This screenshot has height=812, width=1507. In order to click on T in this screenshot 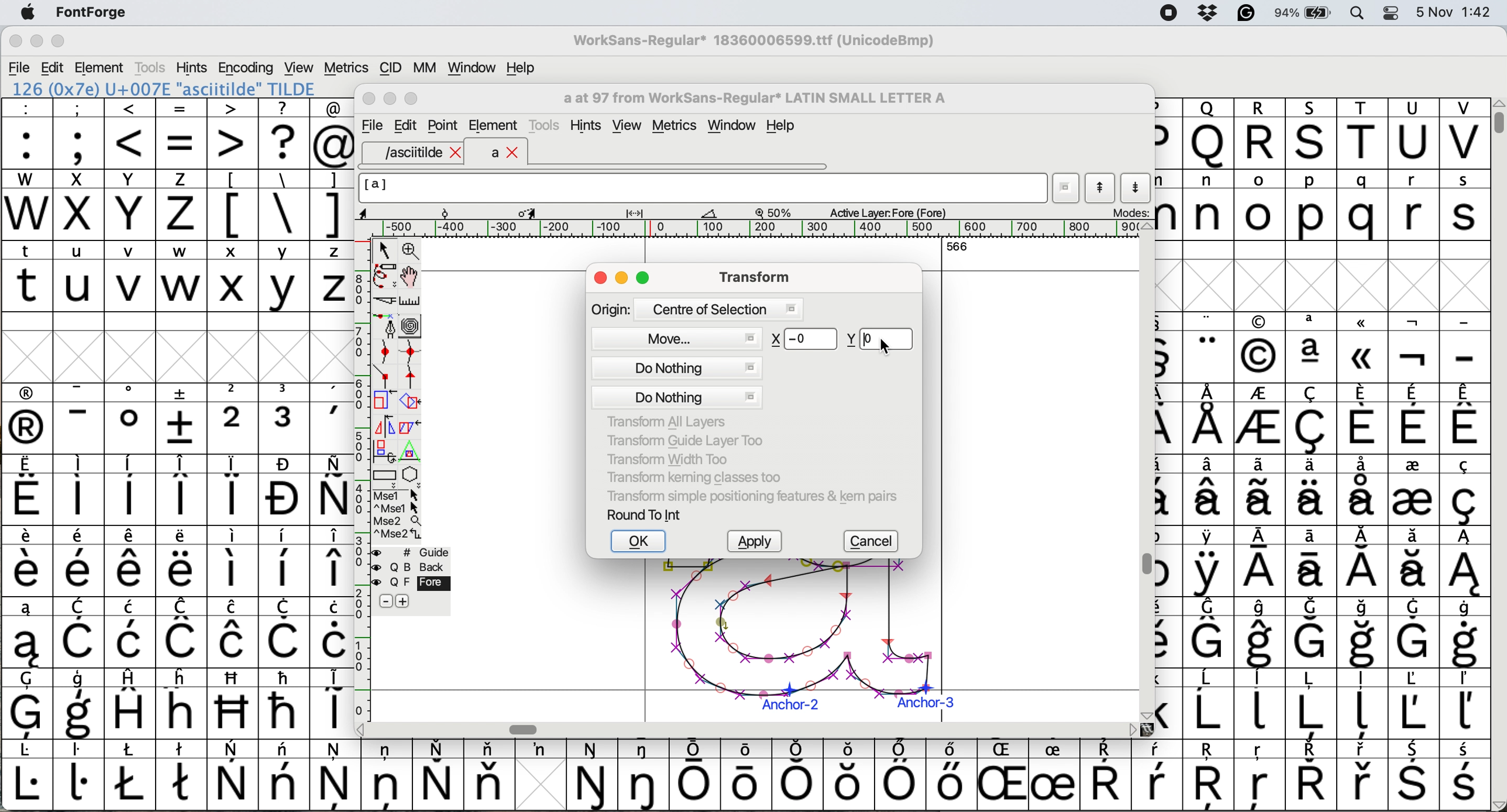, I will do `click(1365, 135)`.